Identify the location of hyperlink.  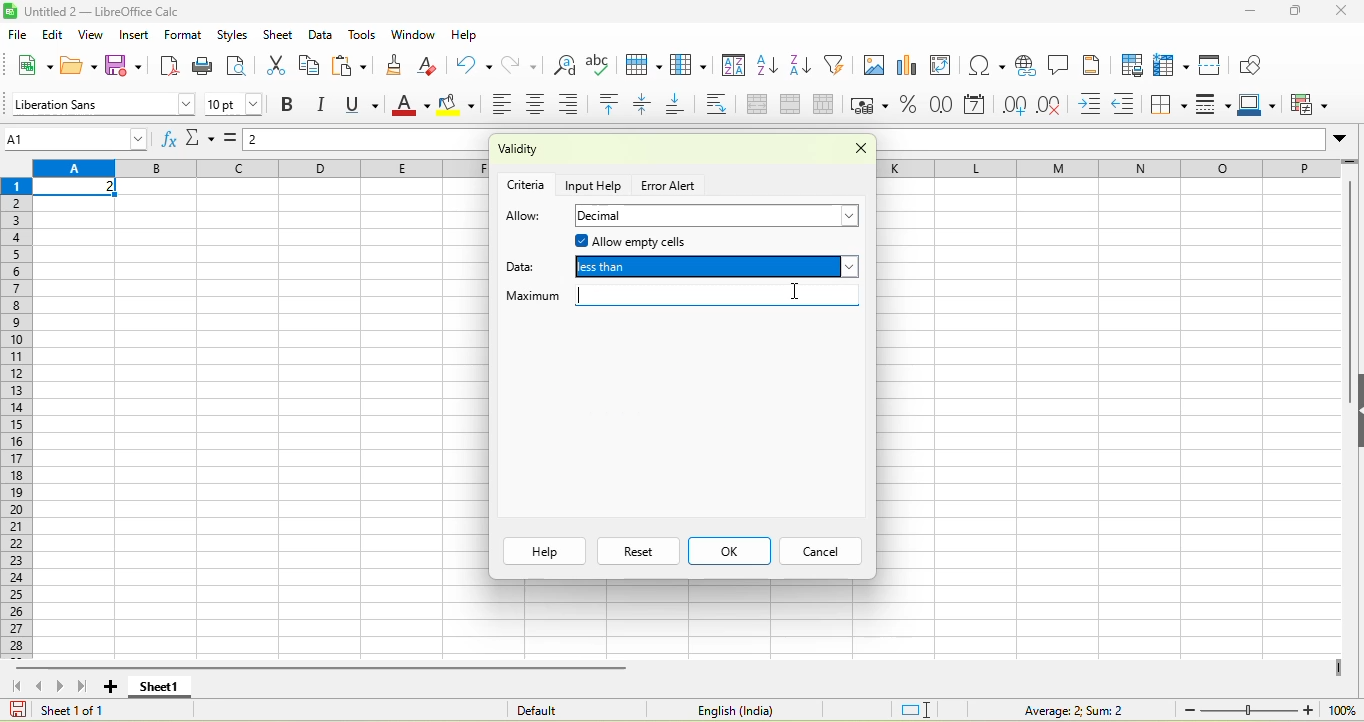
(1025, 65).